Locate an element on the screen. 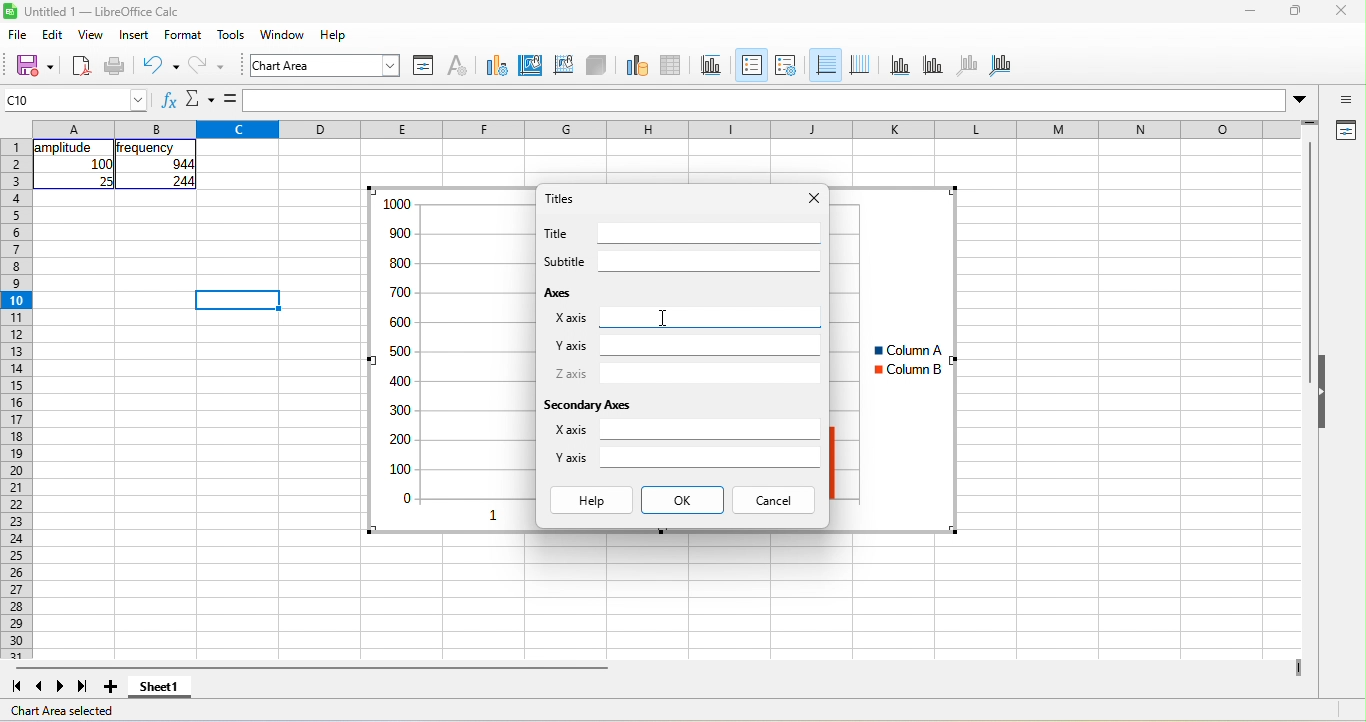 The width and height of the screenshot is (1366, 722). Collapse/Expand is located at coordinates (1322, 391).